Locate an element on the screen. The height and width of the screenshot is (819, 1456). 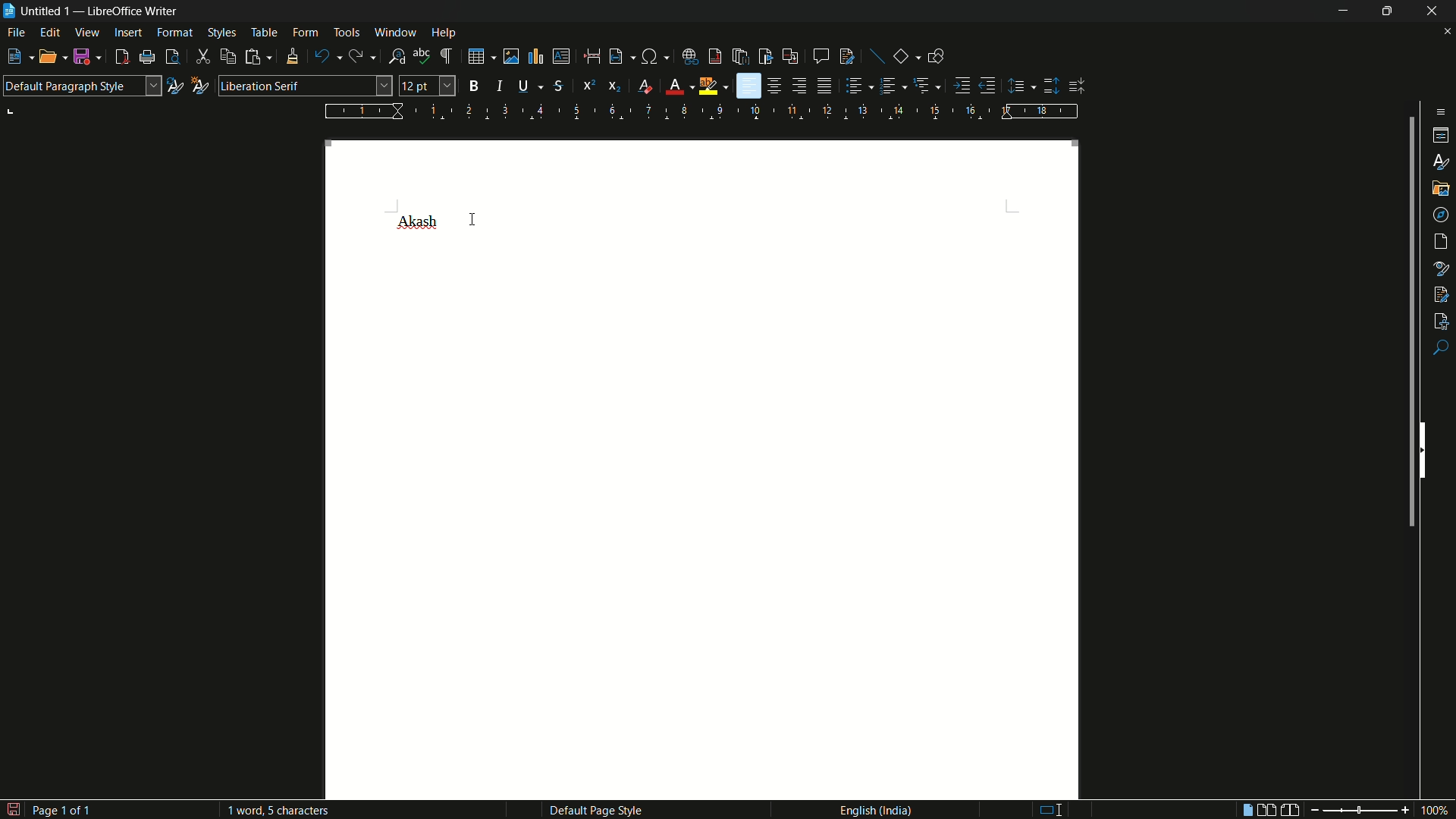
increase paragraph spacing is located at coordinates (1052, 86).